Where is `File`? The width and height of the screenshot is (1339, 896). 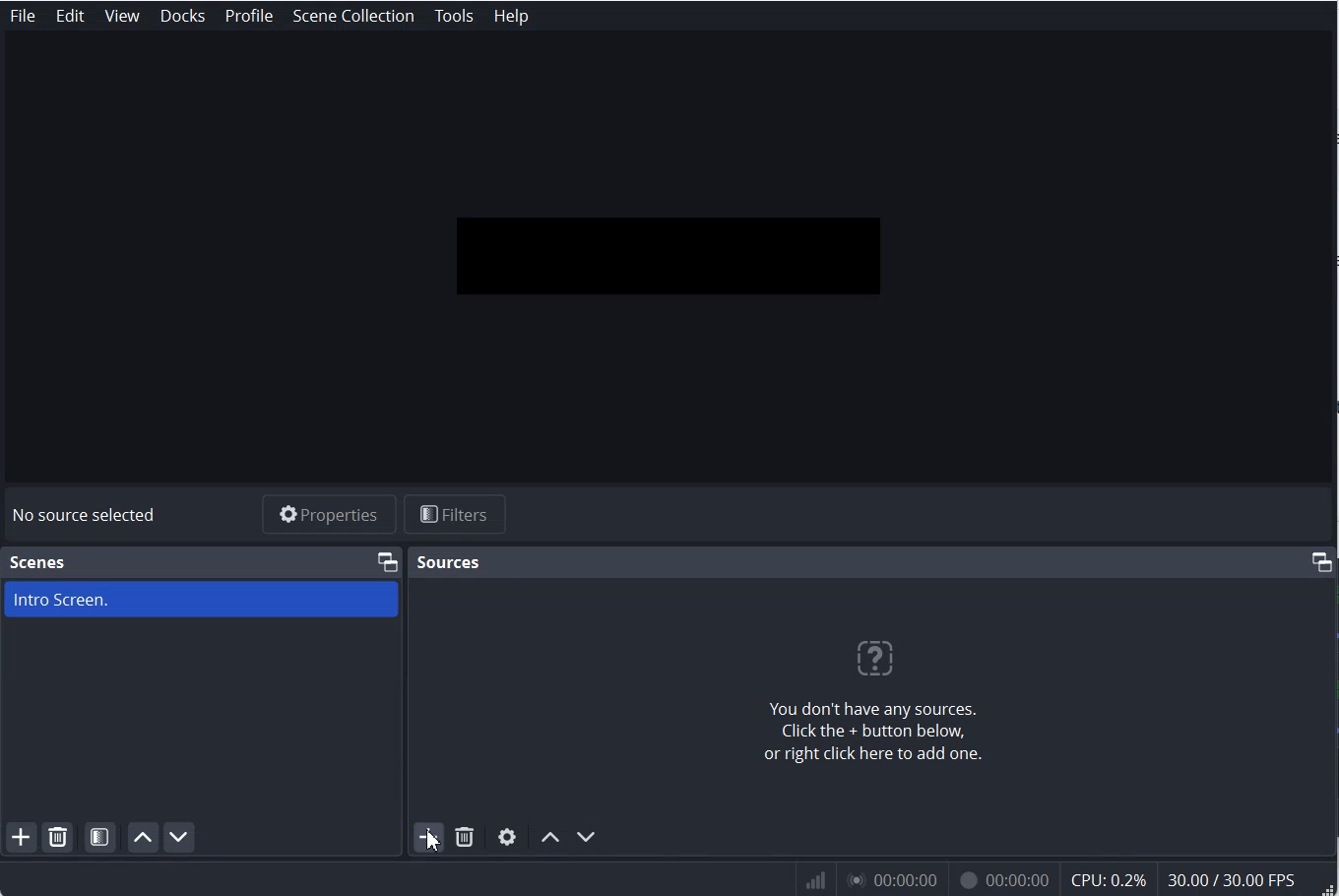 File is located at coordinates (22, 16).